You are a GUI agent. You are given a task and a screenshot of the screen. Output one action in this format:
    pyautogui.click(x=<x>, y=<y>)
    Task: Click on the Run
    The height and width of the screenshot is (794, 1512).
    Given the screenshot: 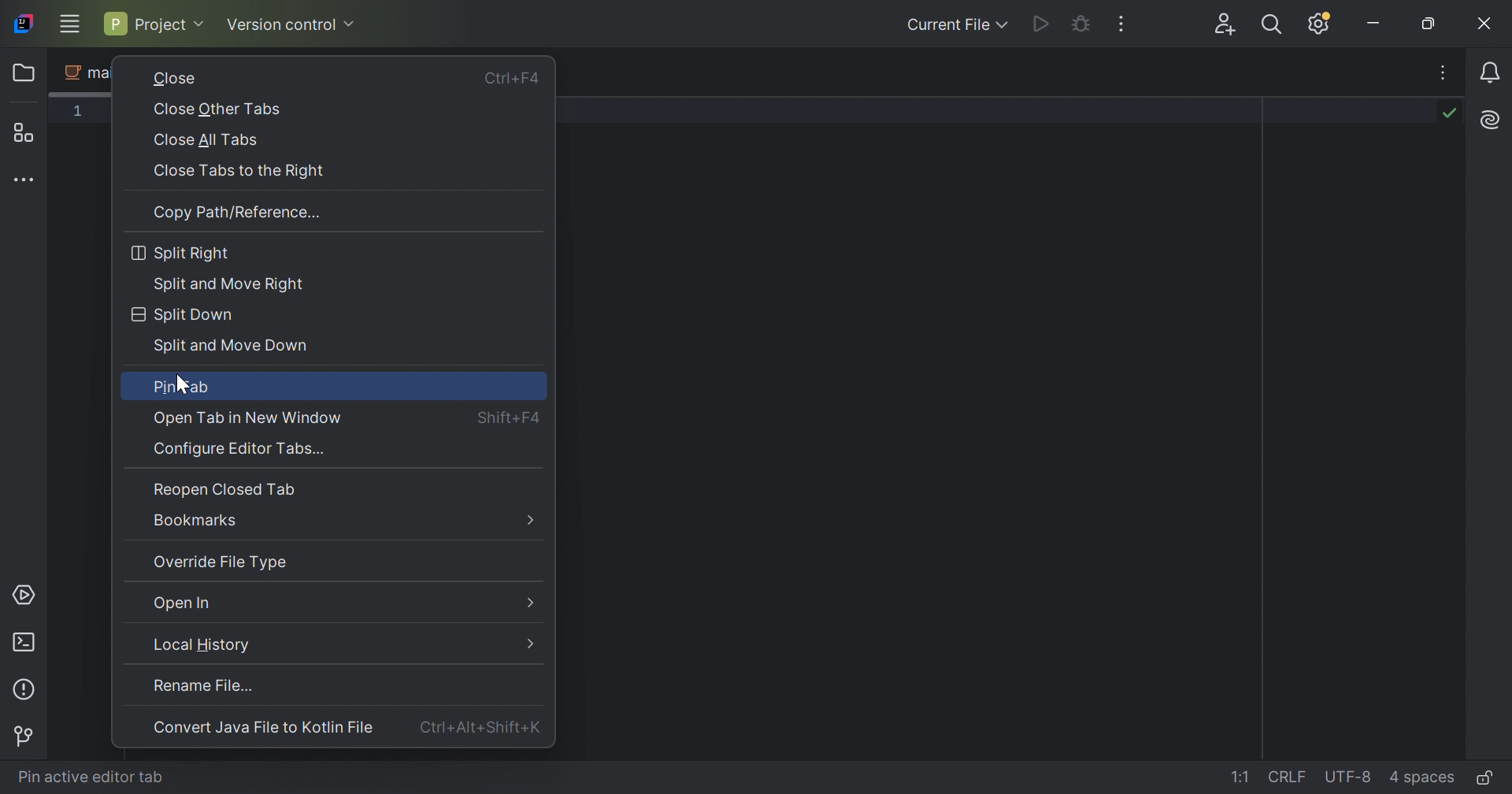 What is the action you would take?
    pyautogui.click(x=1042, y=24)
    